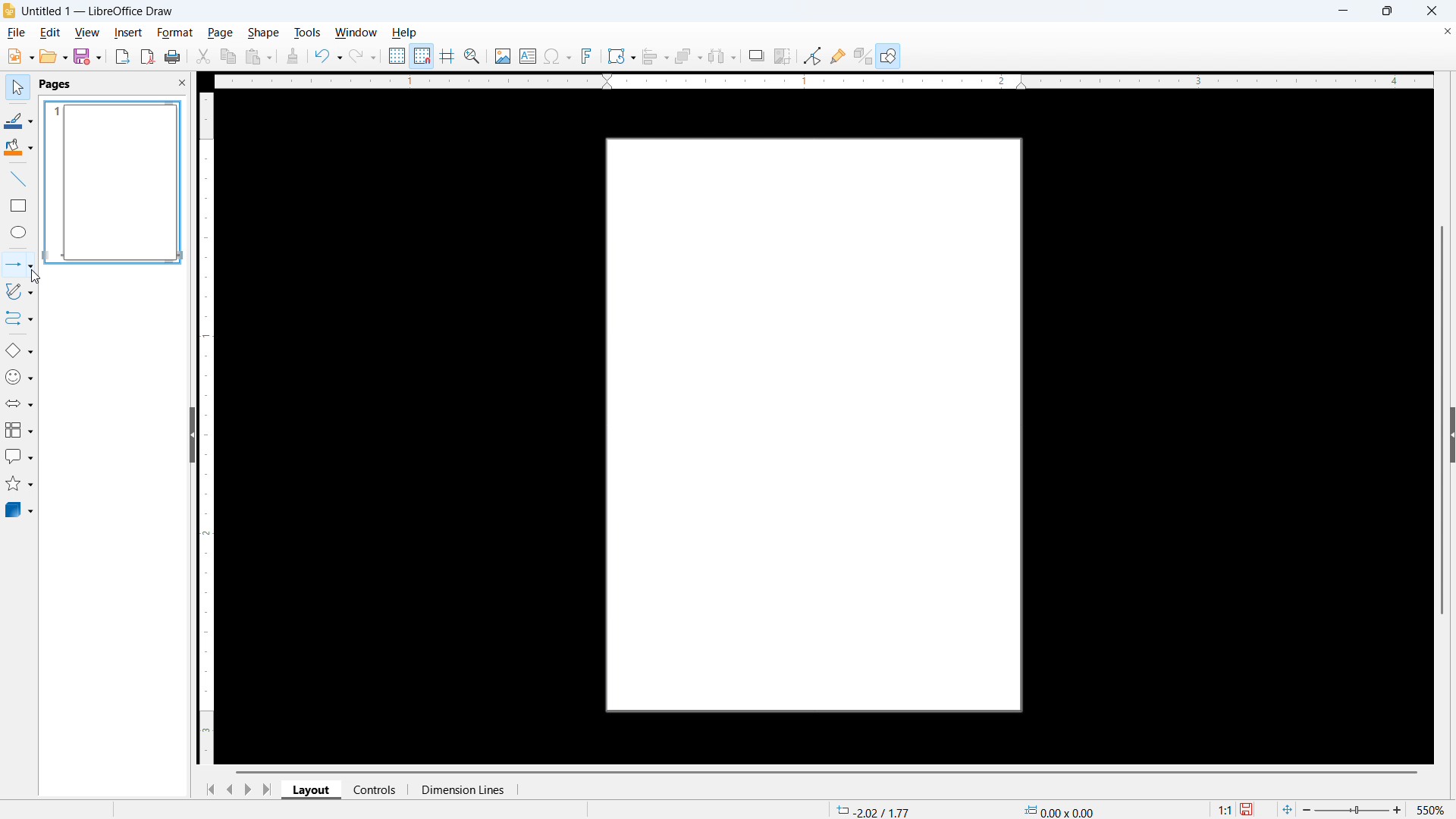  I want to click on stars & banners, so click(19, 483).